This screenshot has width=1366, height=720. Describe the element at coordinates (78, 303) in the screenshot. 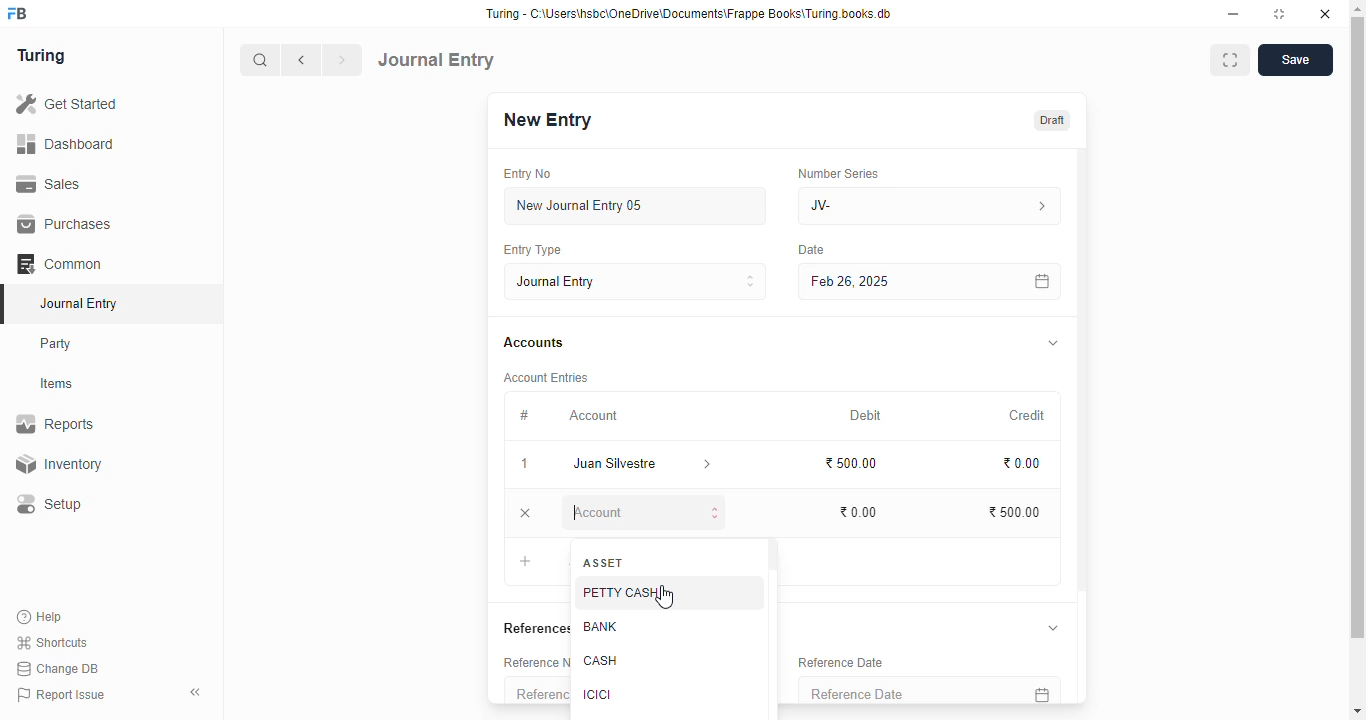

I see `journal entry` at that location.